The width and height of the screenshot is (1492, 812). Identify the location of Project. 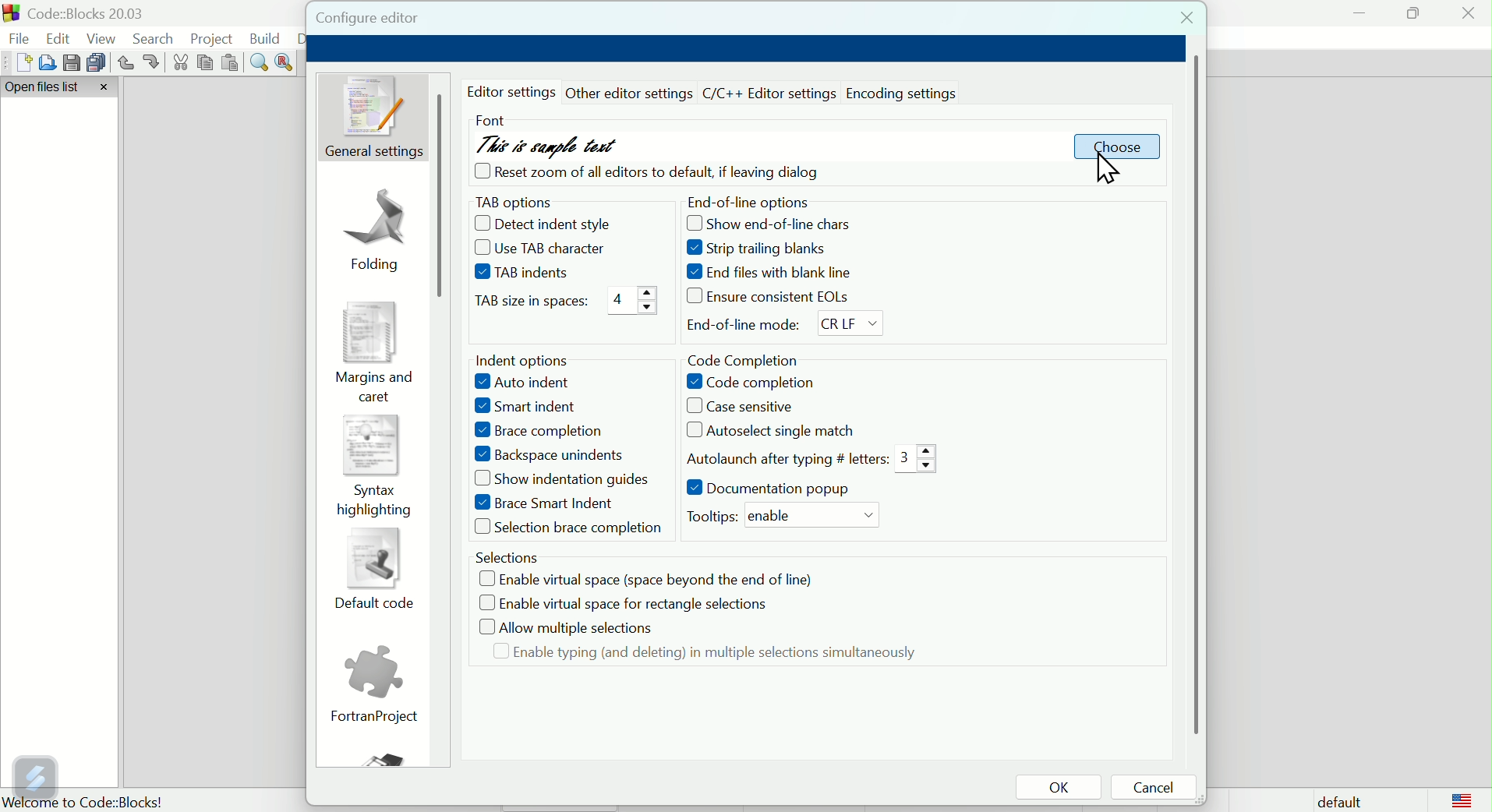
(214, 38).